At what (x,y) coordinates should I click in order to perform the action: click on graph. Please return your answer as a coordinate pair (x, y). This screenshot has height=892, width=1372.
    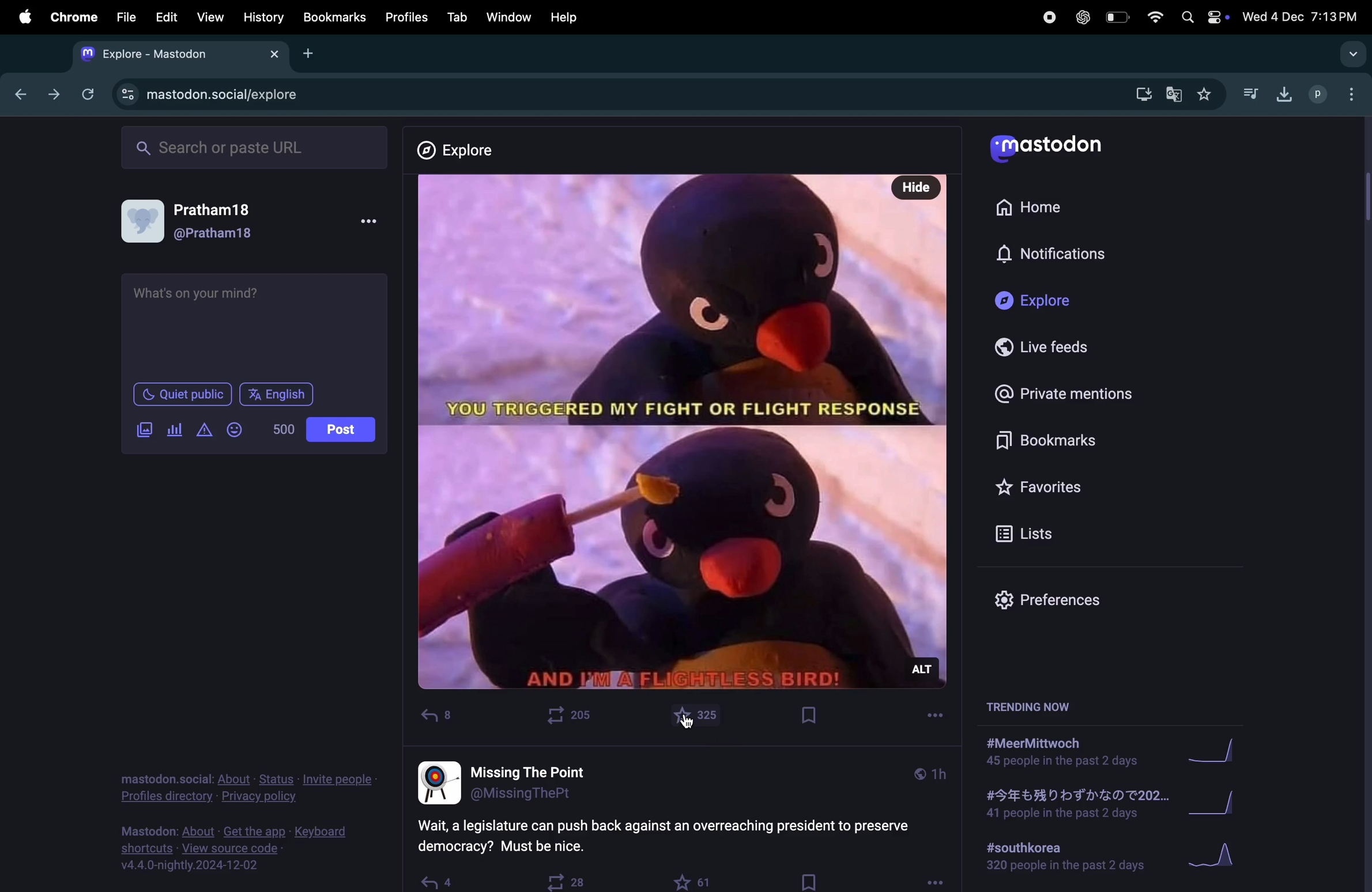
    Looking at the image, I should click on (1213, 751).